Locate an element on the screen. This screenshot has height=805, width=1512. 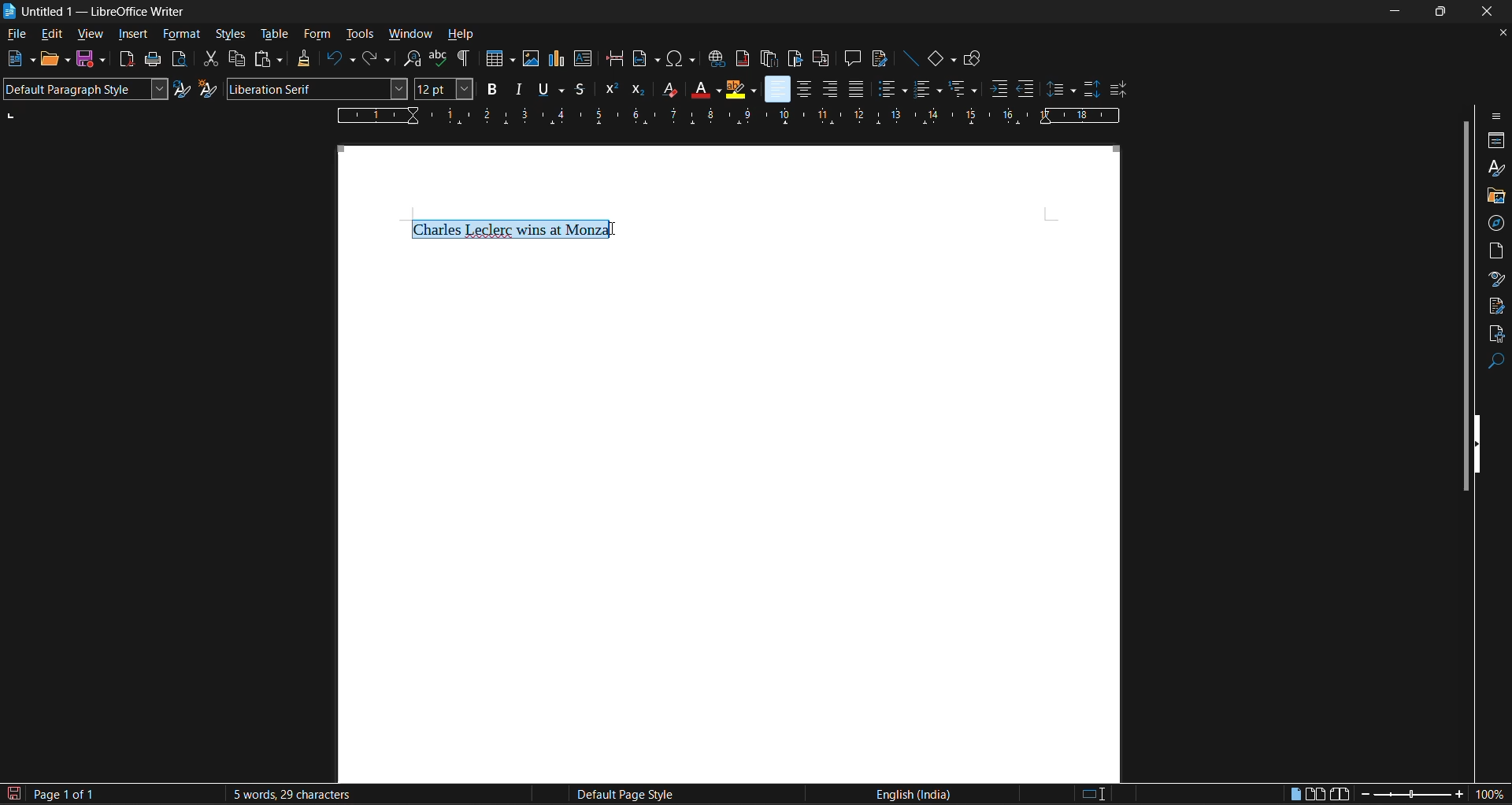
manage changes is located at coordinates (1497, 306).